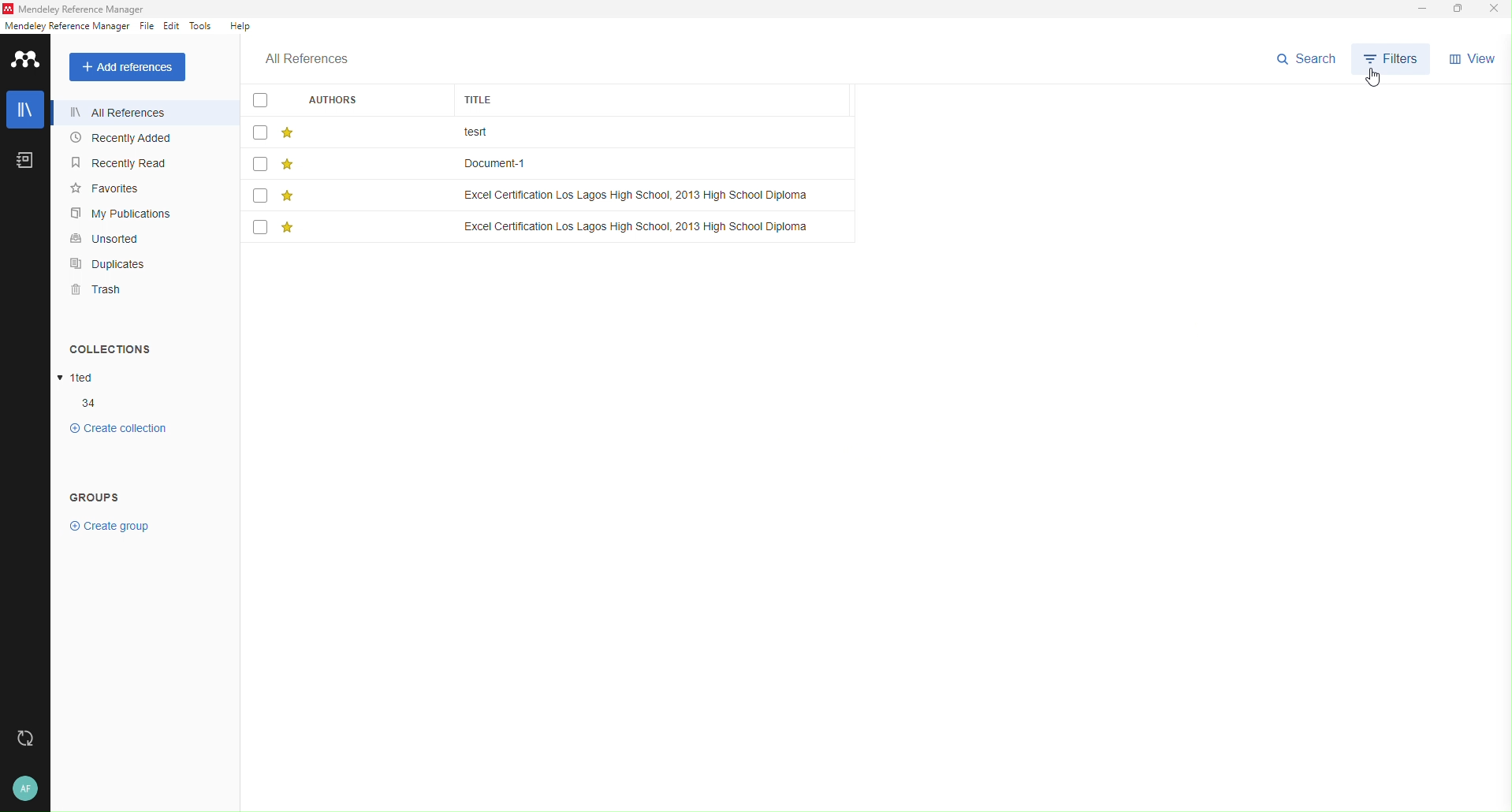 This screenshot has height=812, width=1512. Describe the element at coordinates (77, 378) in the screenshot. I see `collections` at that location.